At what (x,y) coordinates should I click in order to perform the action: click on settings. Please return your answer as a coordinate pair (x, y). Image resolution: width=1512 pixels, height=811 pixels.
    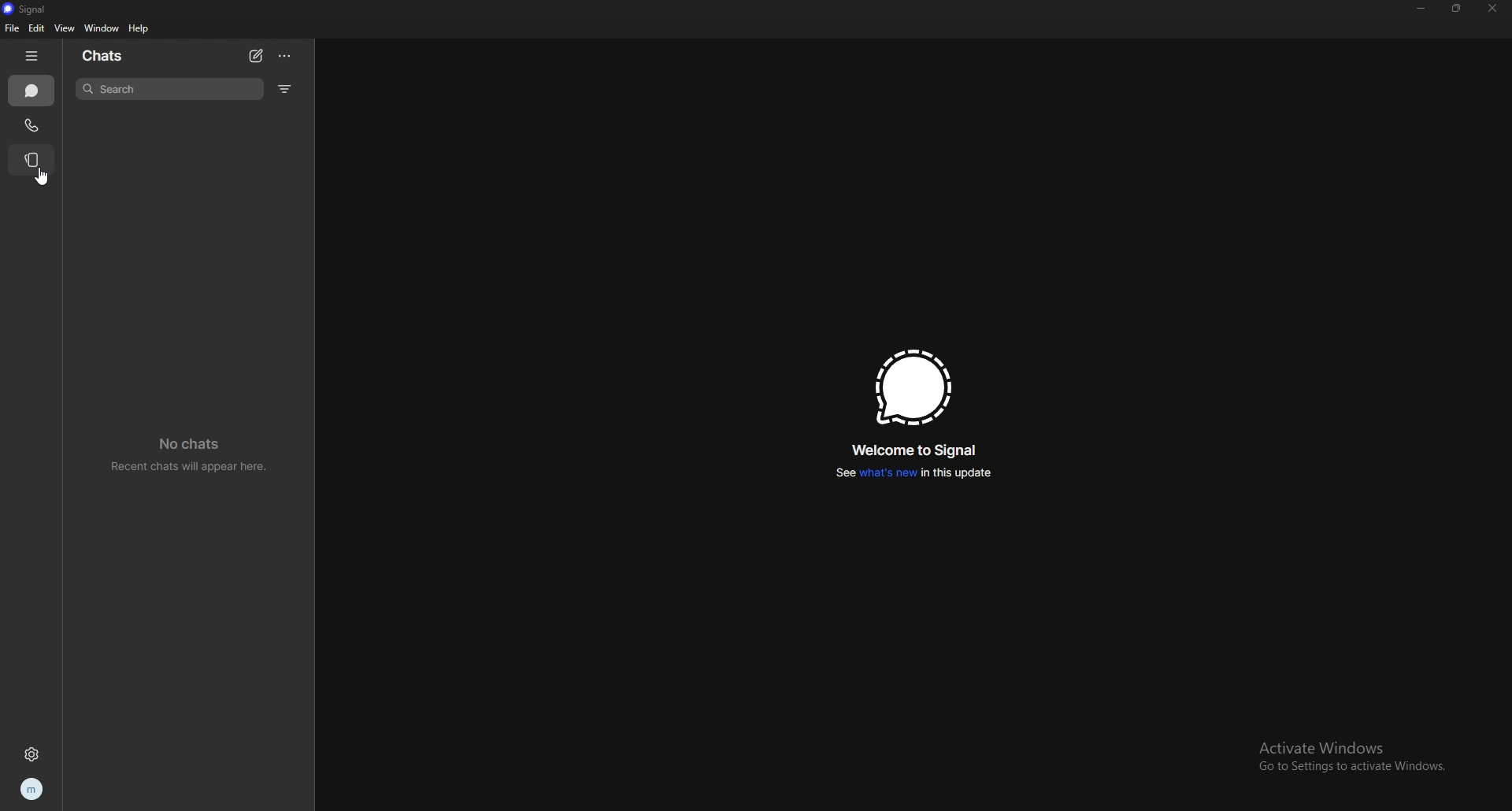
    Looking at the image, I should click on (31, 755).